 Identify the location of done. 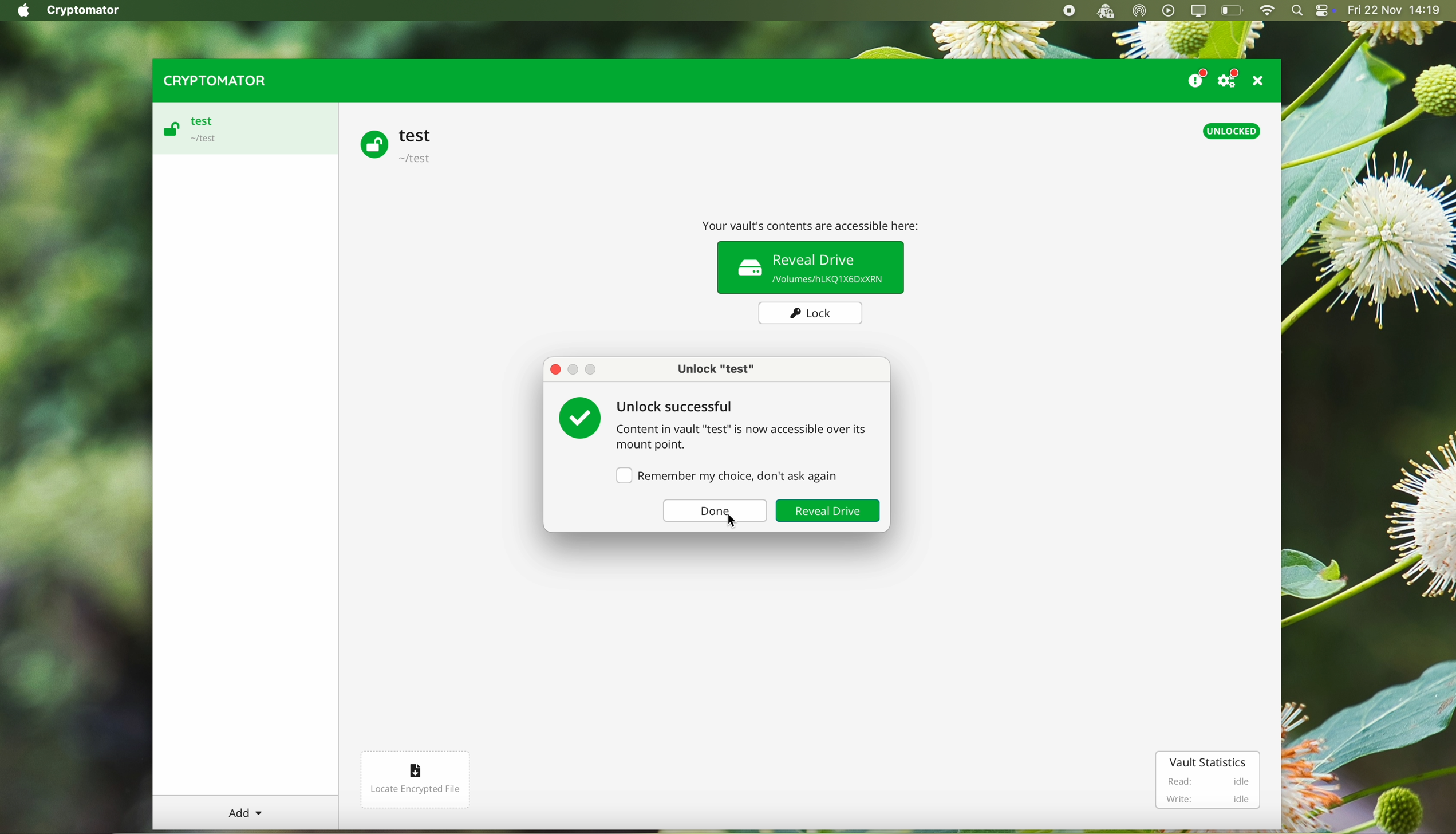
(716, 513).